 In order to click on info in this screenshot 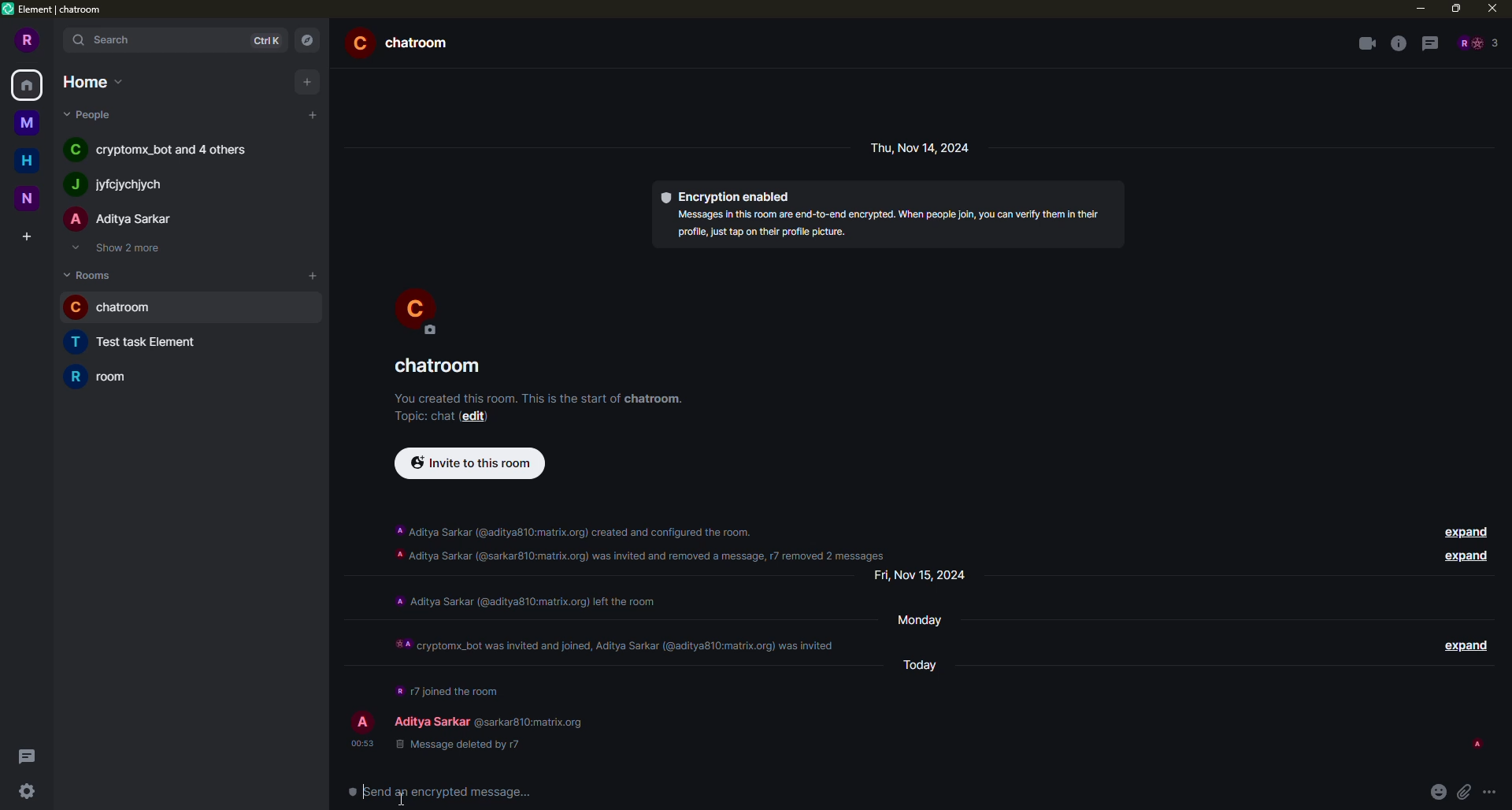, I will do `click(888, 223)`.